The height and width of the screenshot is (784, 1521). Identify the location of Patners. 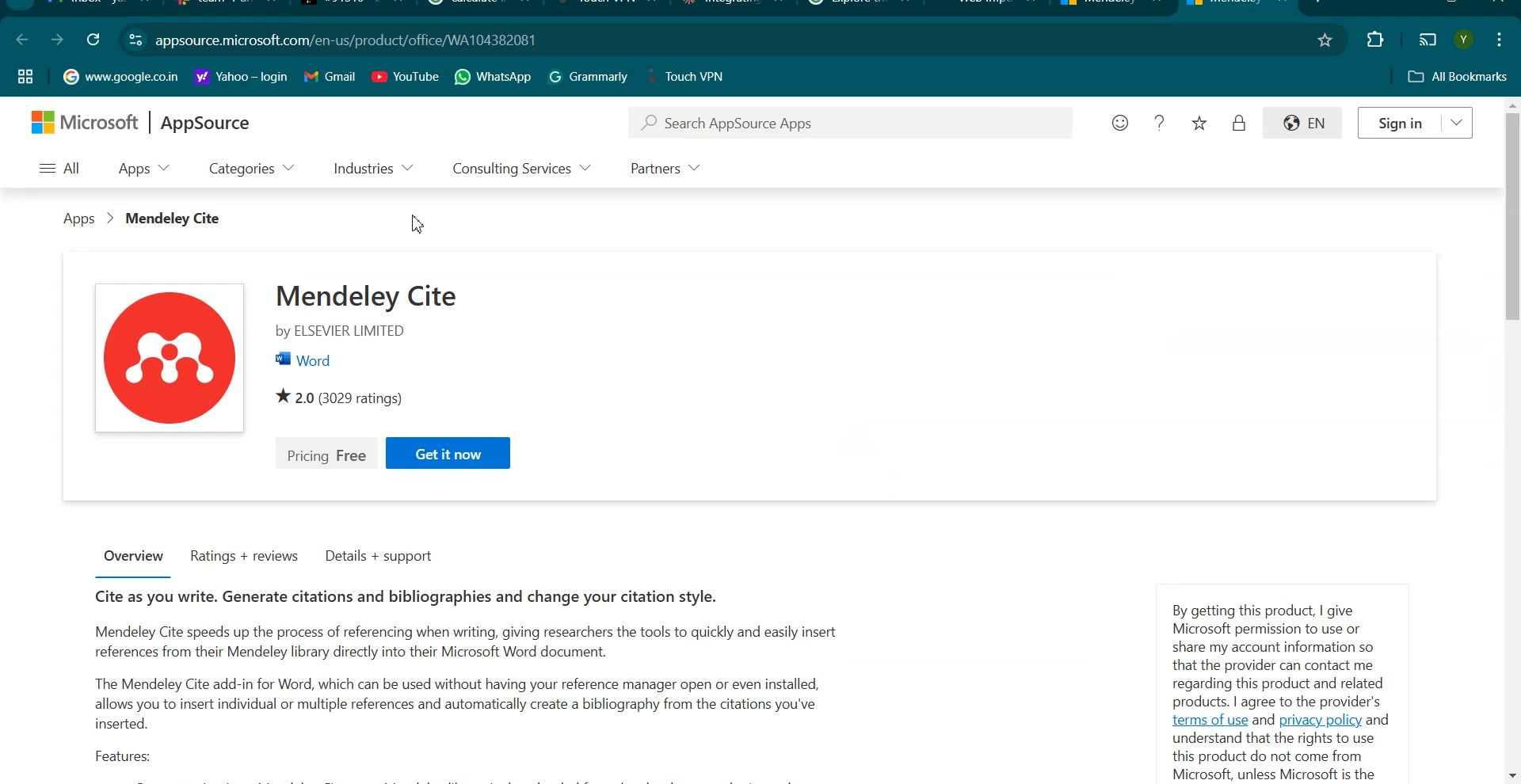
(663, 169).